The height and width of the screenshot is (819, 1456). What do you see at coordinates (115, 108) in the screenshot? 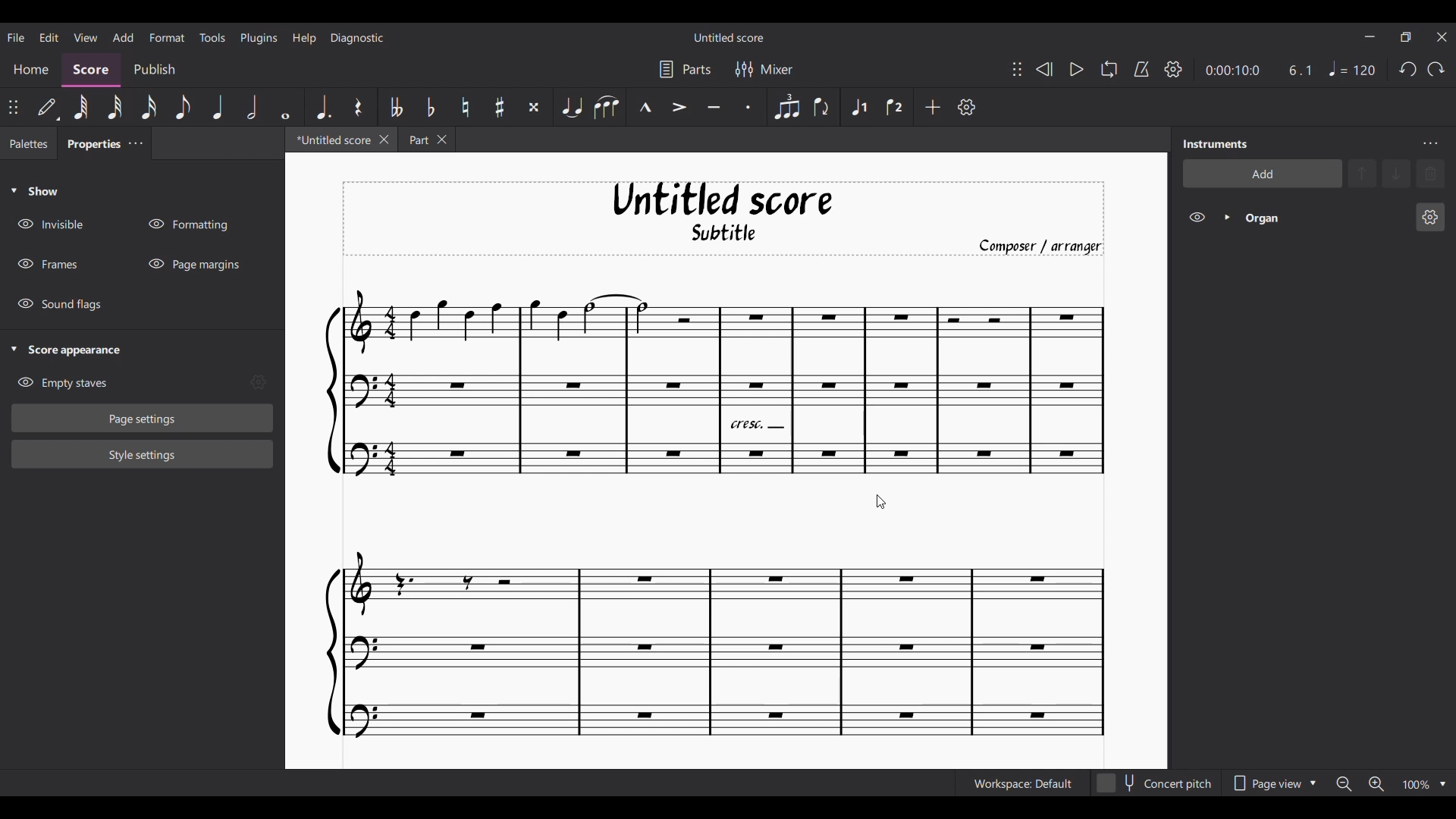
I see `32nd note` at bounding box center [115, 108].